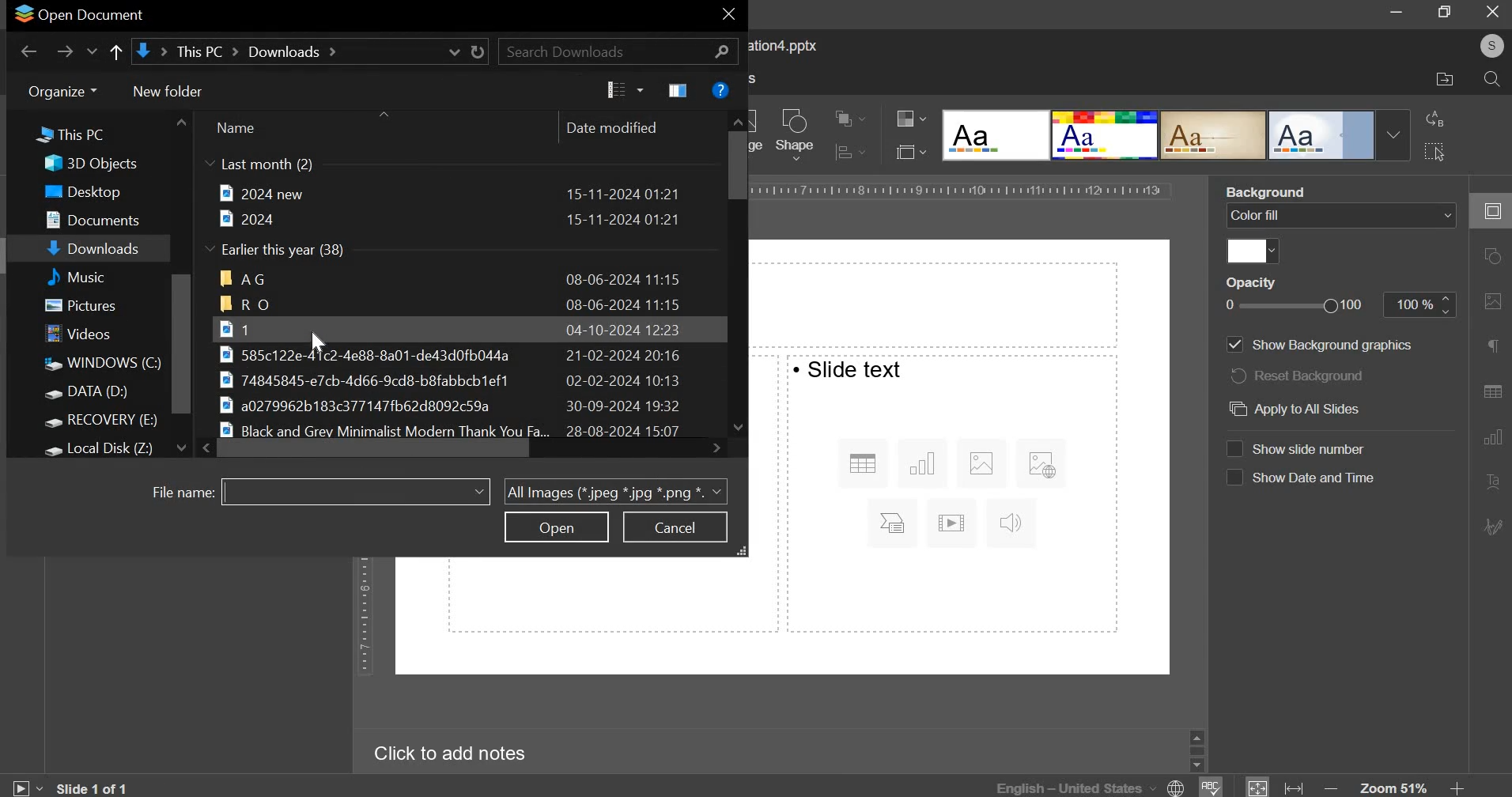 Image resolution: width=1512 pixels, height=797 pixels. Describe the element at coordinates (1212, 787) in the screenshot. I see `spell check` at that location.